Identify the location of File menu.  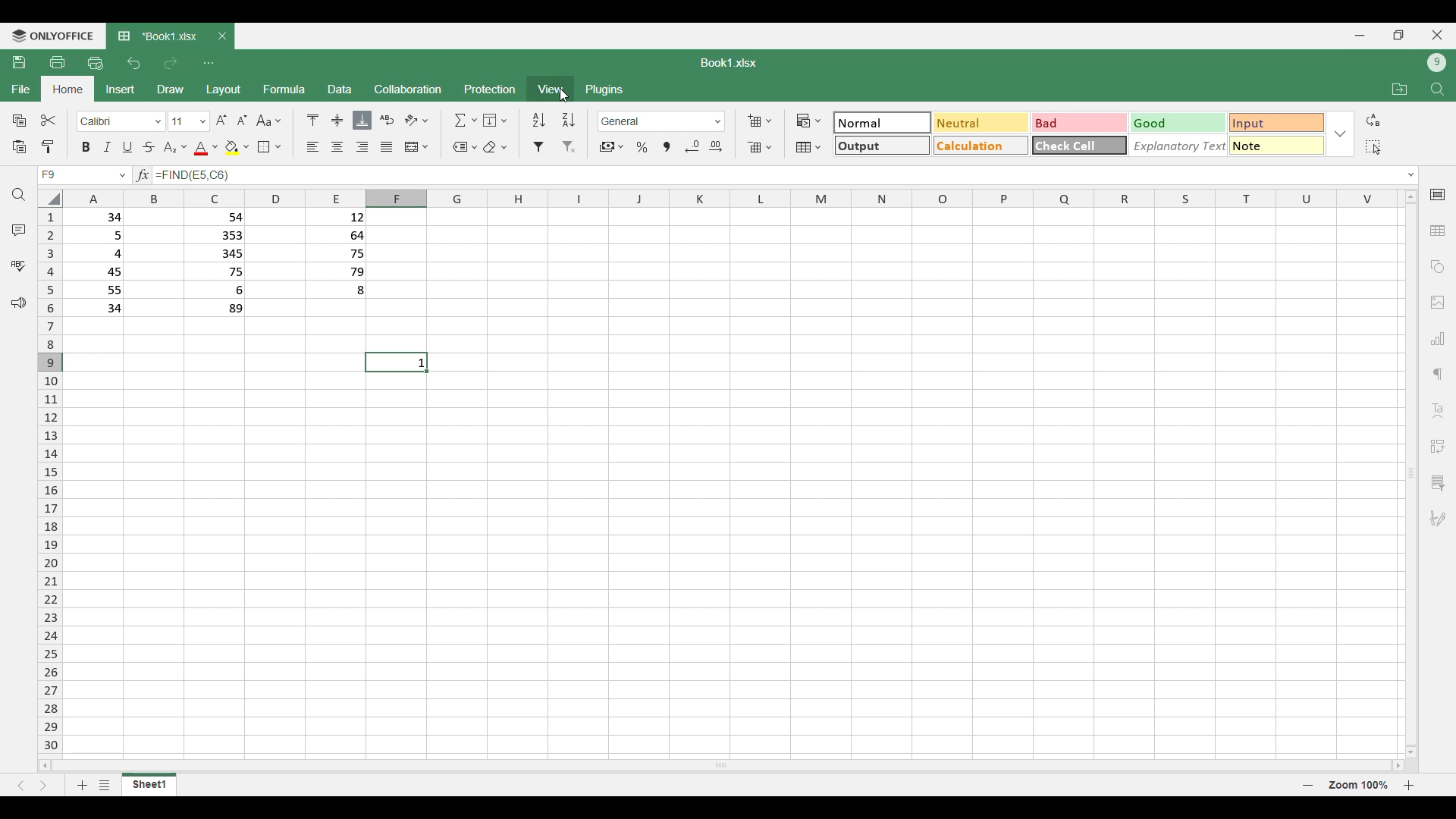
(21, 89).